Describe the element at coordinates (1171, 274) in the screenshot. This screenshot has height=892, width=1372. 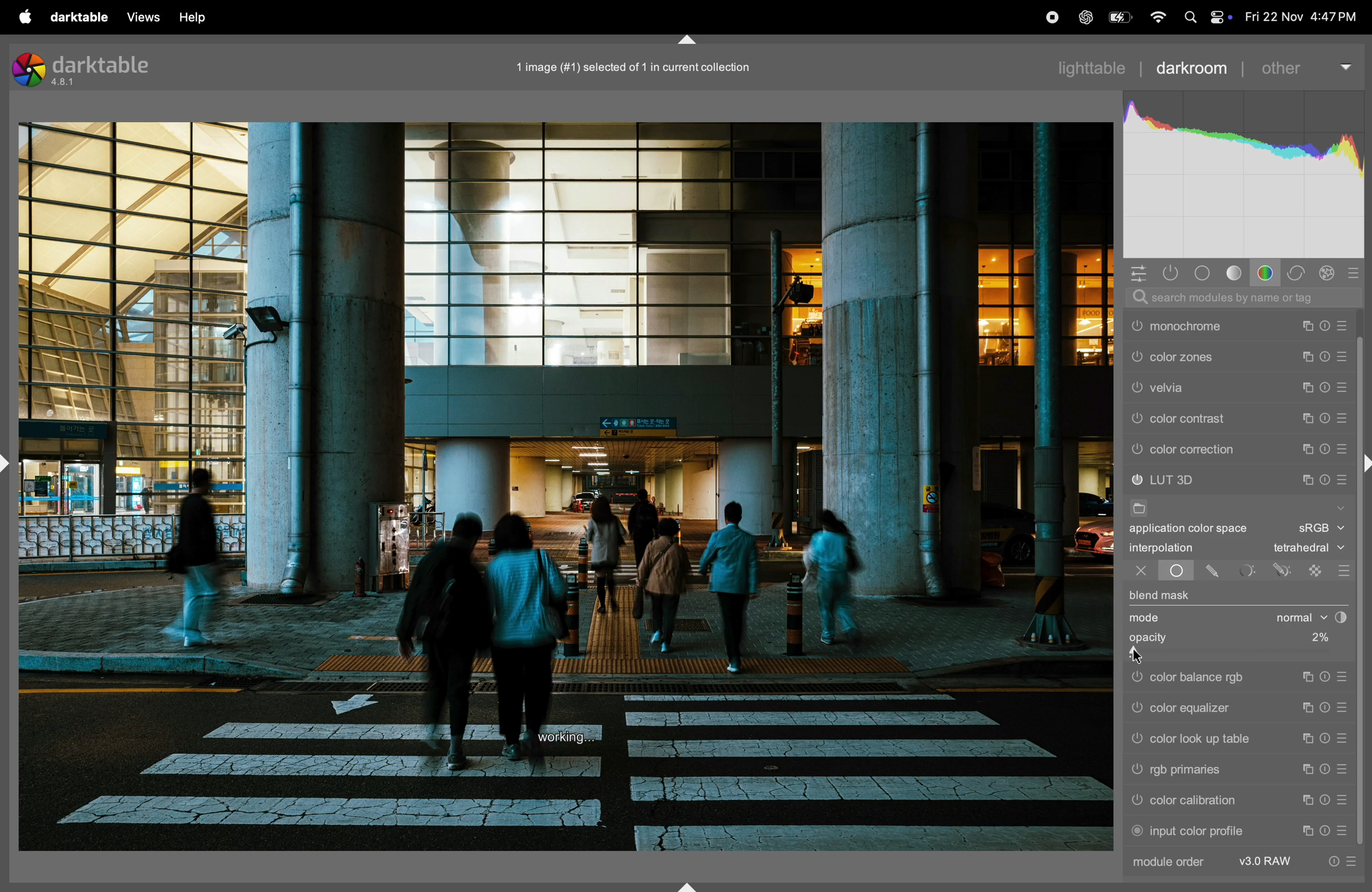
I see `show only activity modules` at that location.